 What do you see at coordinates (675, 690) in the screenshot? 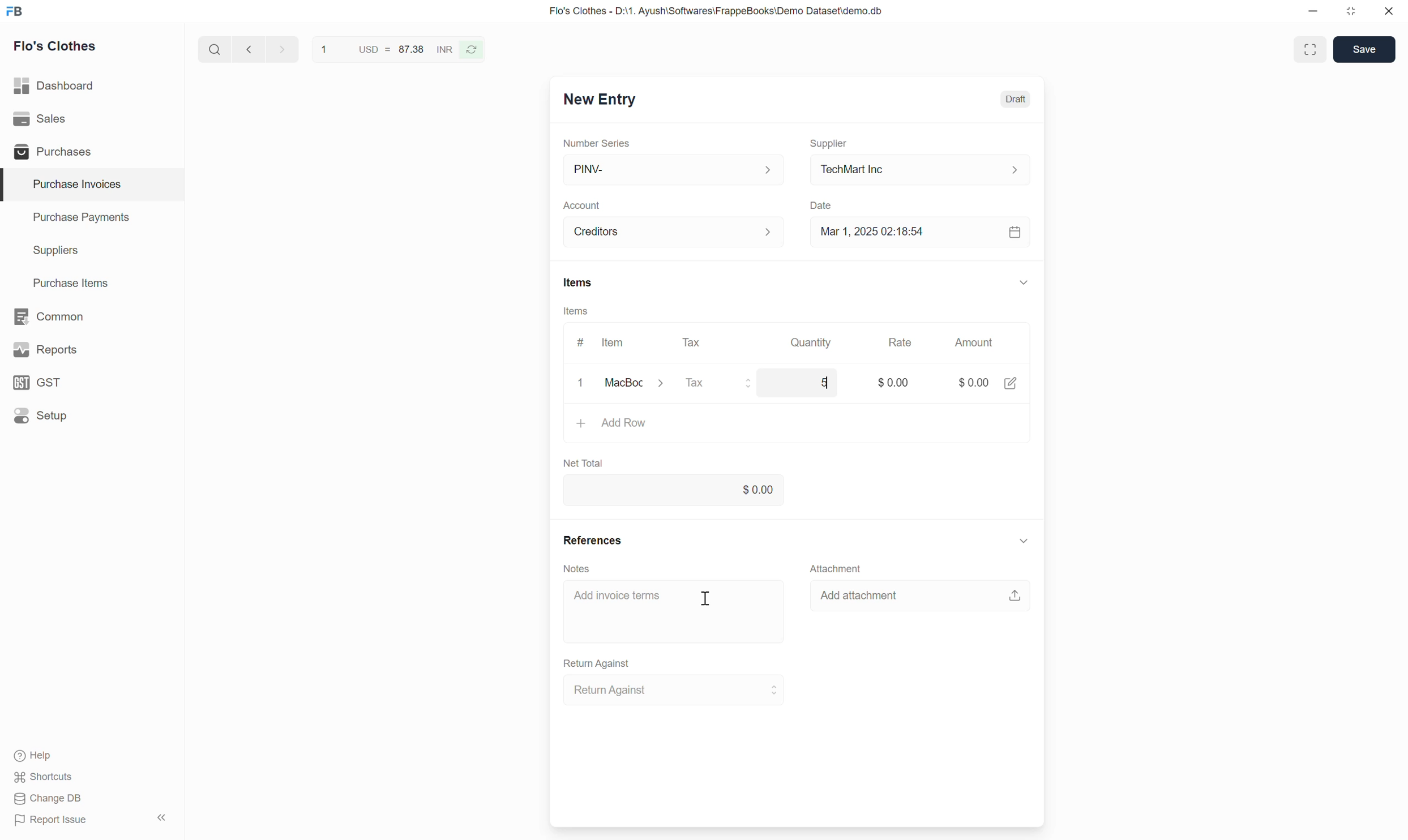
I see `Return Against` at bounding box center [675, 690].